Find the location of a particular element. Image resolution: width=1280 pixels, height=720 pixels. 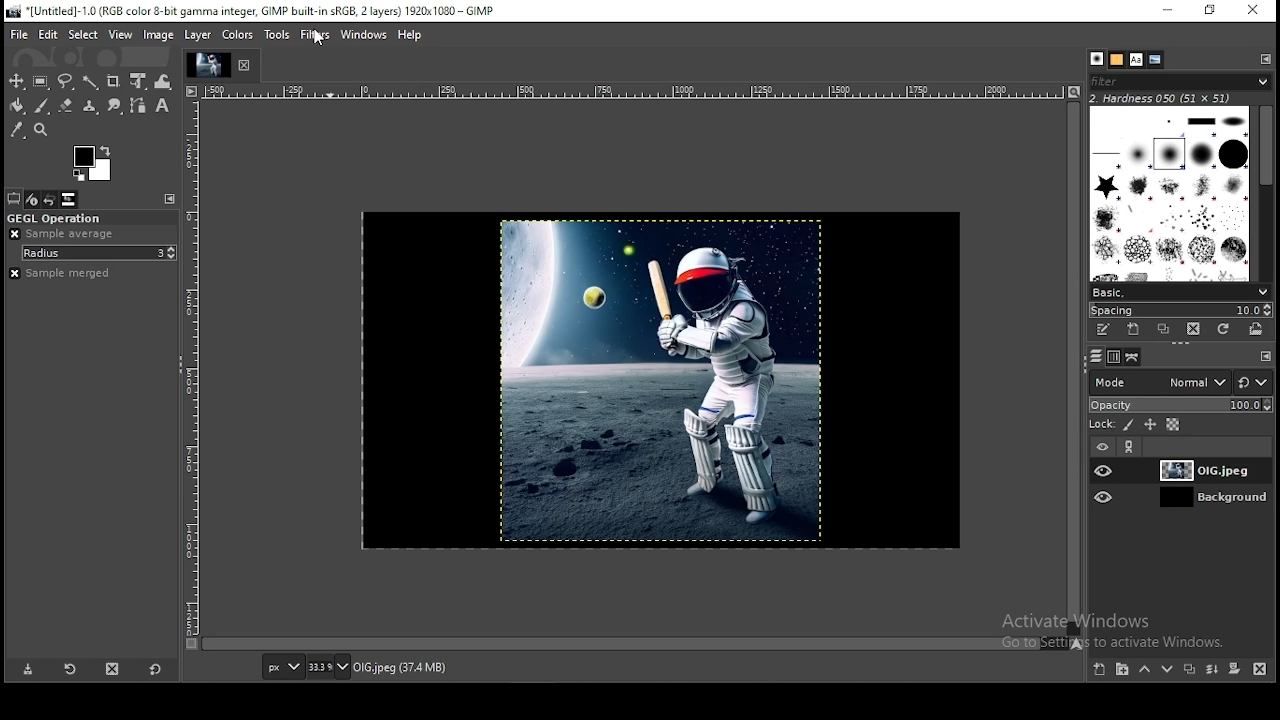

move tool is located at coordinates (18, 82).